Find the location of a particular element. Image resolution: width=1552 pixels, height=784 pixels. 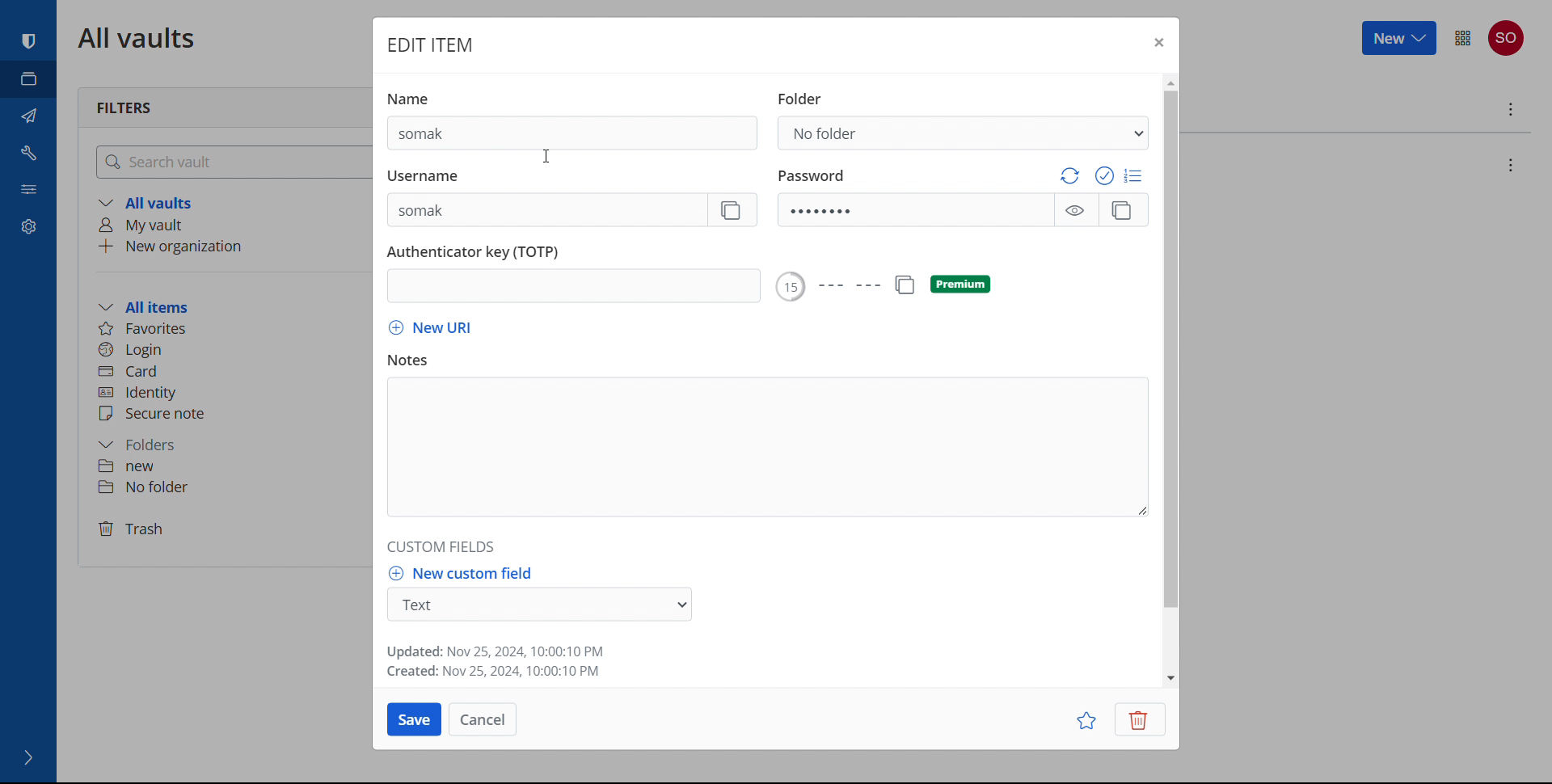

all items is located at coordinates (233, 306).